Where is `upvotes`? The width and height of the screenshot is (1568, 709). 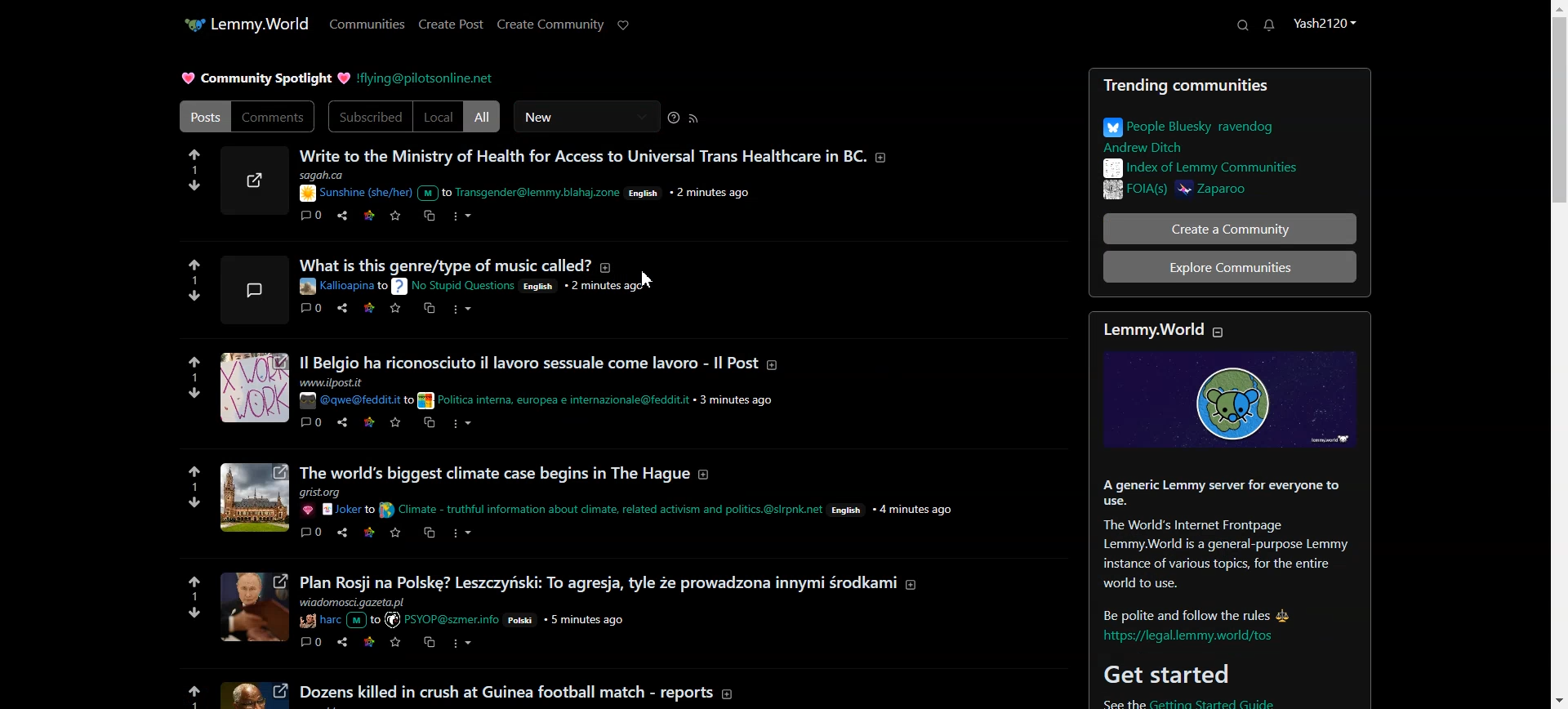
upvotes is located at coordinates (191, 578).